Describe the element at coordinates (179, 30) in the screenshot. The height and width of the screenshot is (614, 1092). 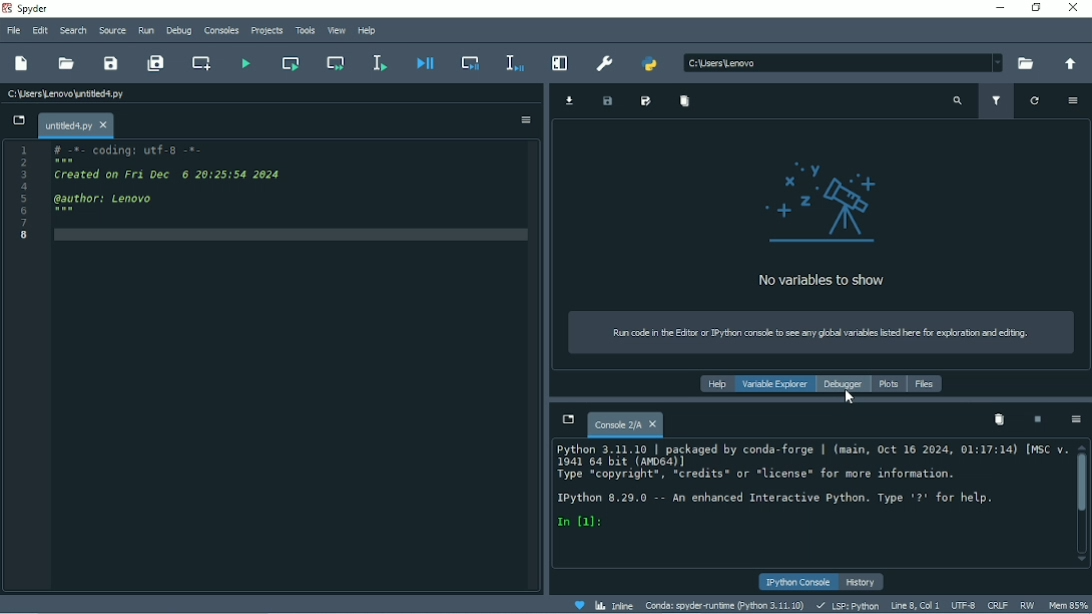
I see `Debug` at that location.